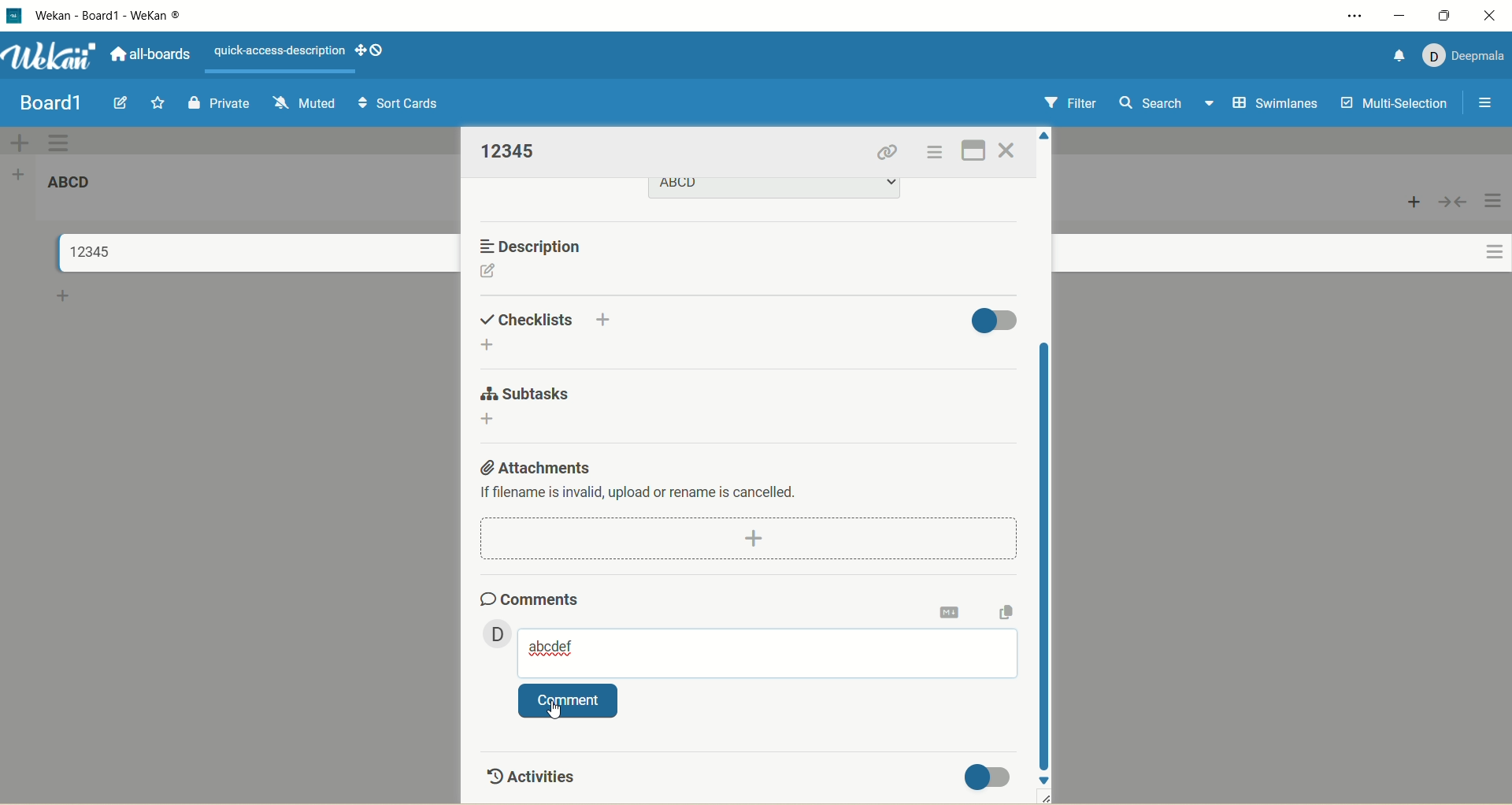  I want to click on multi-selection, so click(1392, 104).